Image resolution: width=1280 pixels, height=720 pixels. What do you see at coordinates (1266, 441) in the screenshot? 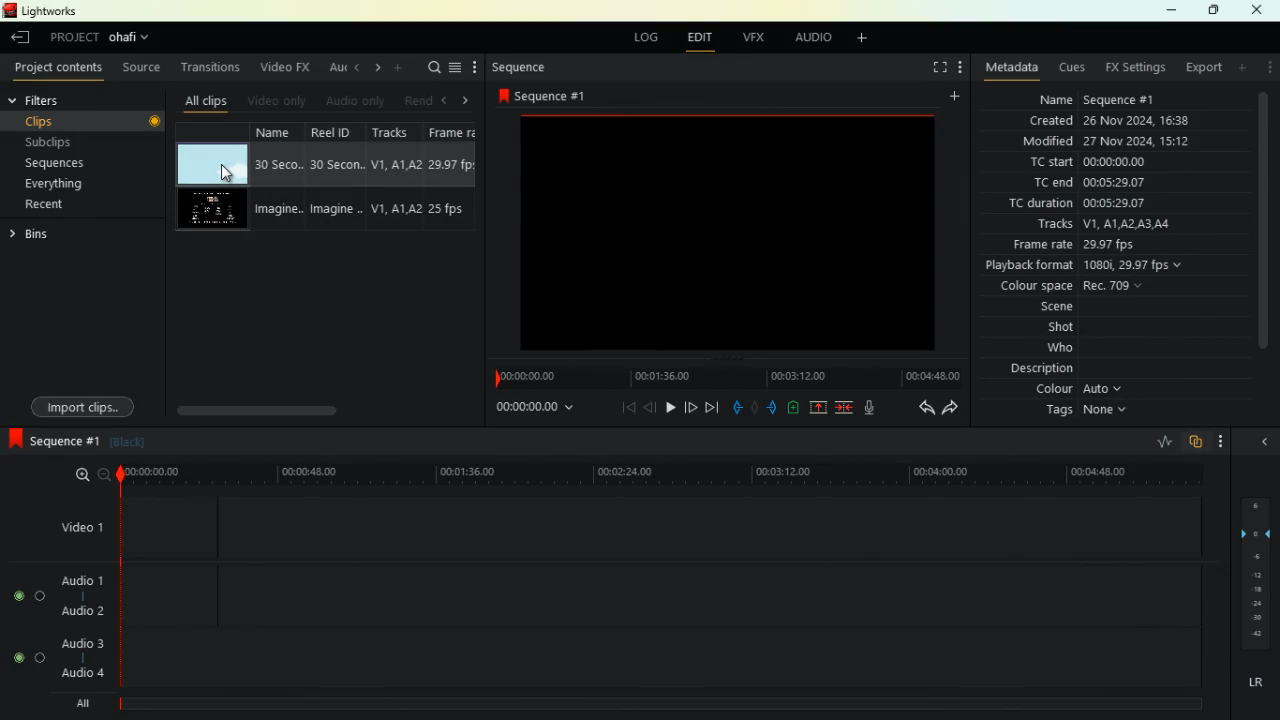
I see `close` at bounding box center [1266, 441].